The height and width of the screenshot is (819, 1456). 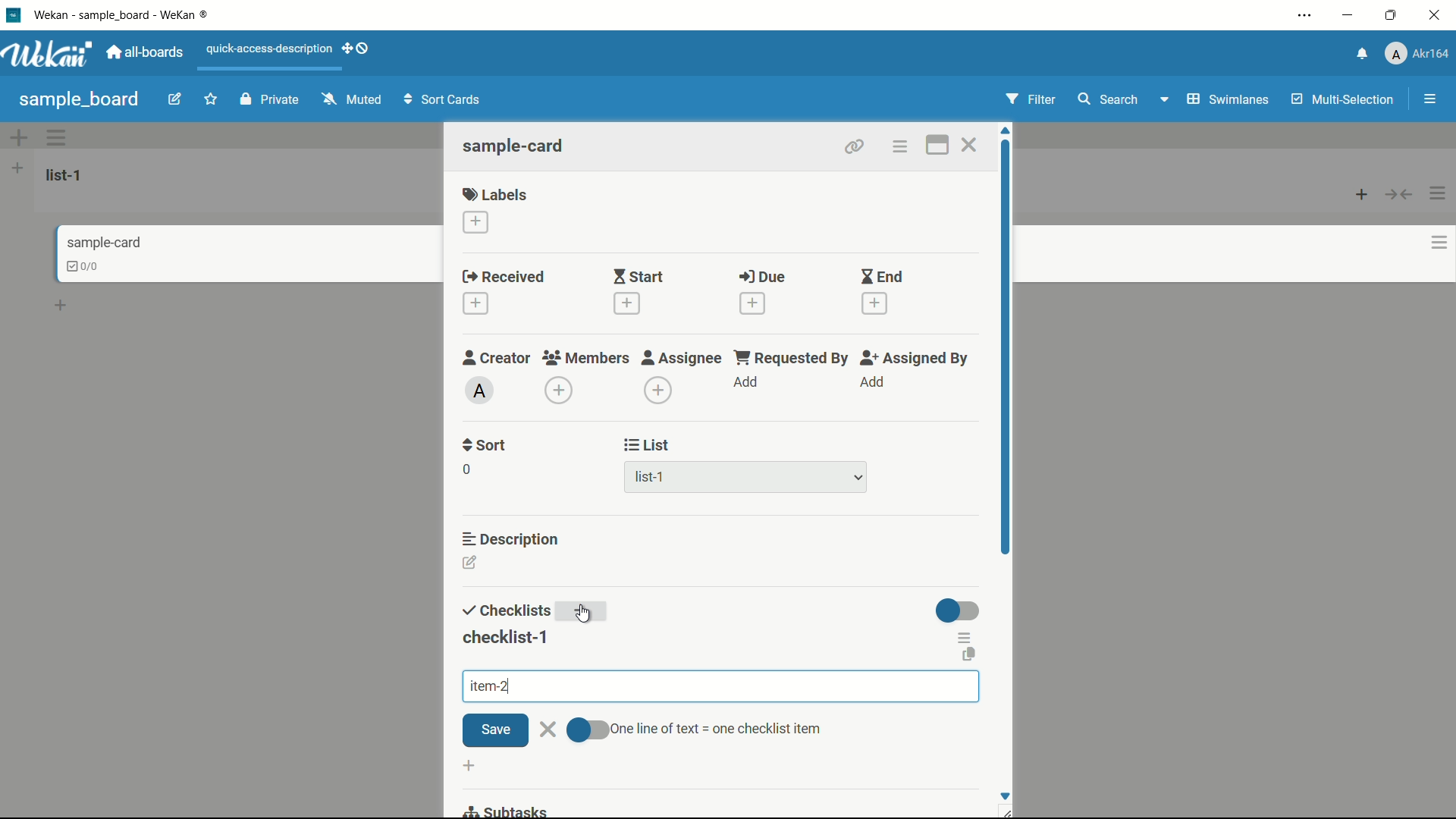 What do you see at coordinates (466, 469) in the screenshot?
I see `0` at bounding box center [466, 469].